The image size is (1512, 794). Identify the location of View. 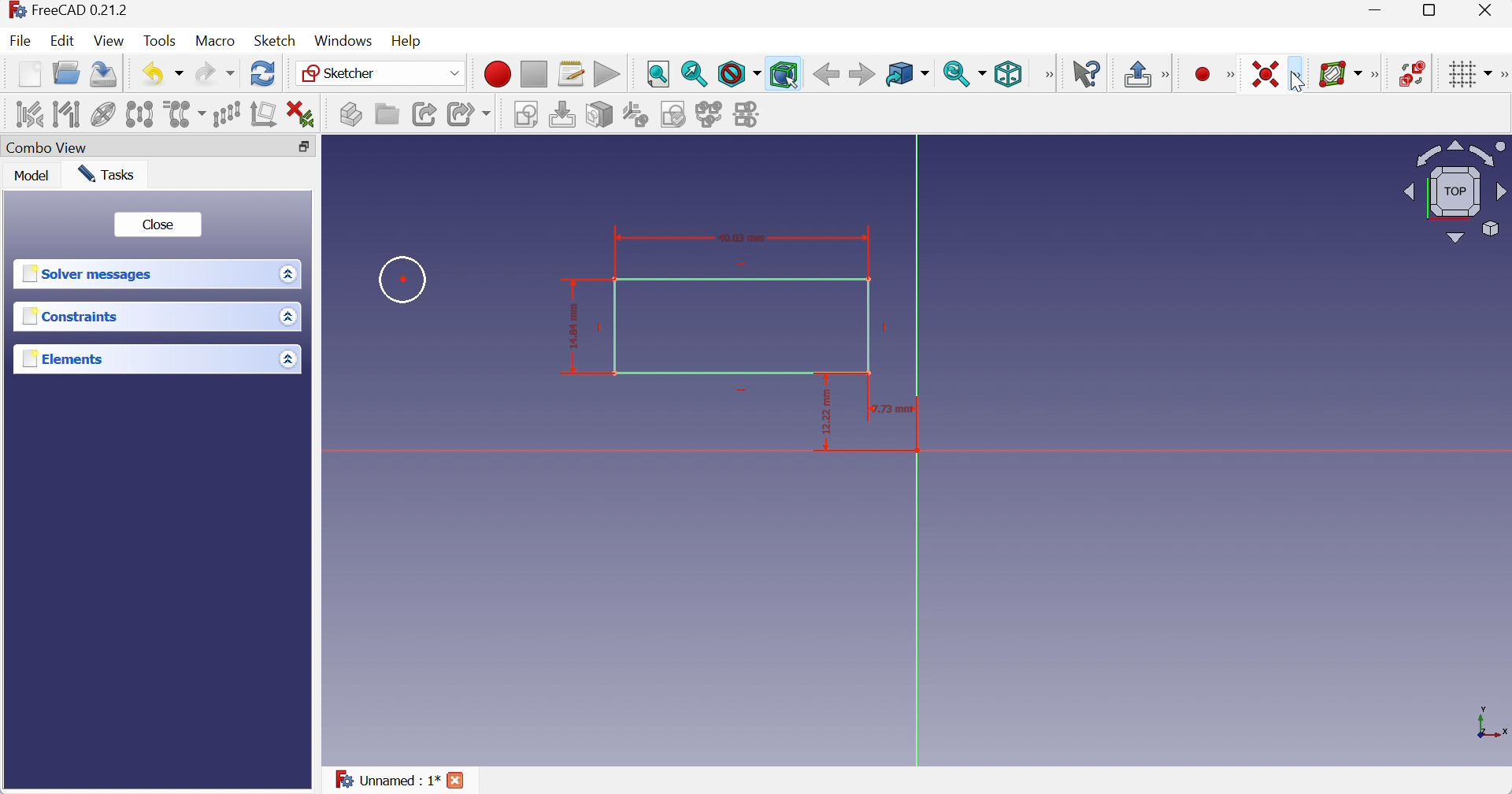
(109, 41).